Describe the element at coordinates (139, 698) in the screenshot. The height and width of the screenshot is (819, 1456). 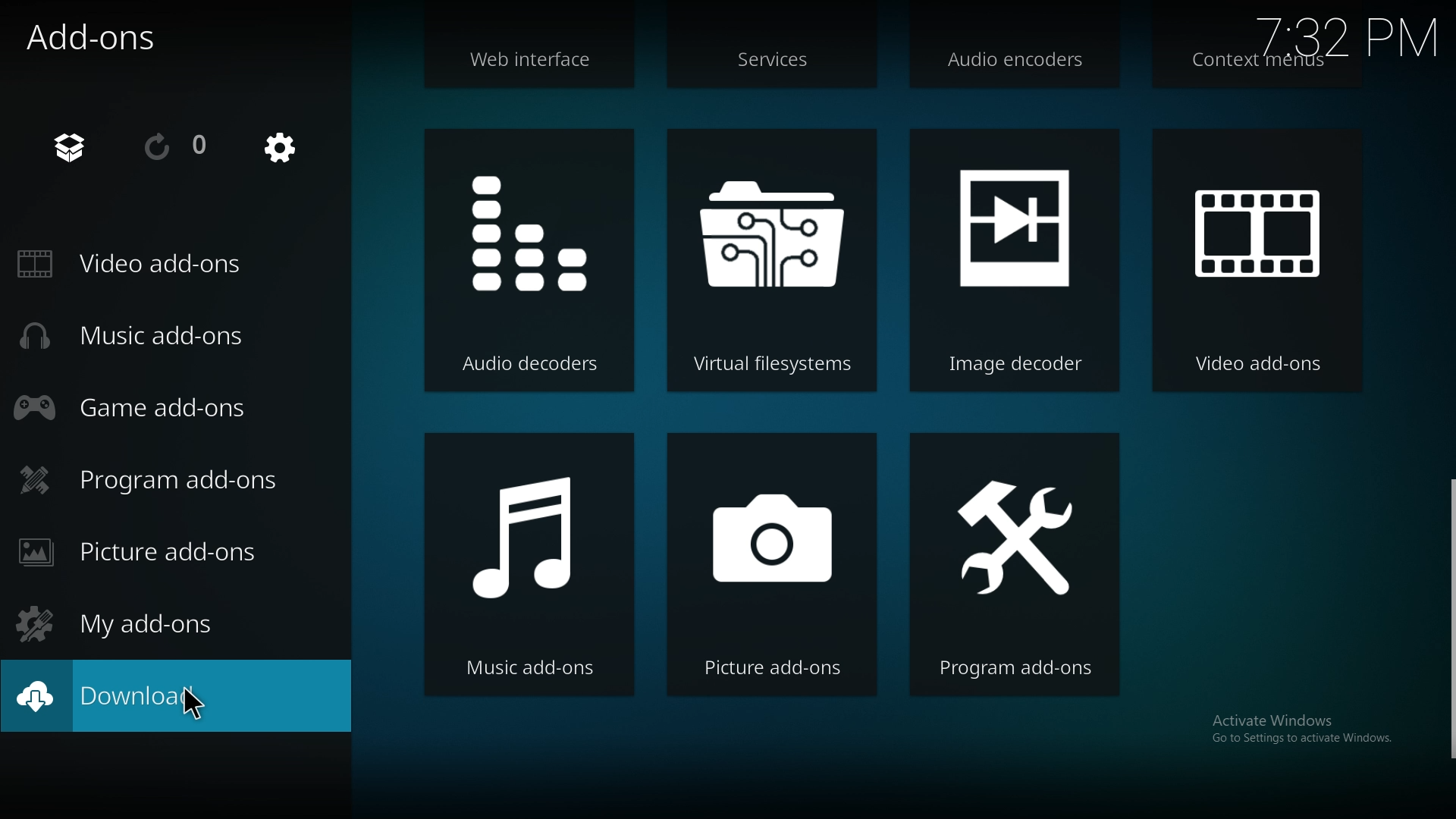
I see `download` at that location.